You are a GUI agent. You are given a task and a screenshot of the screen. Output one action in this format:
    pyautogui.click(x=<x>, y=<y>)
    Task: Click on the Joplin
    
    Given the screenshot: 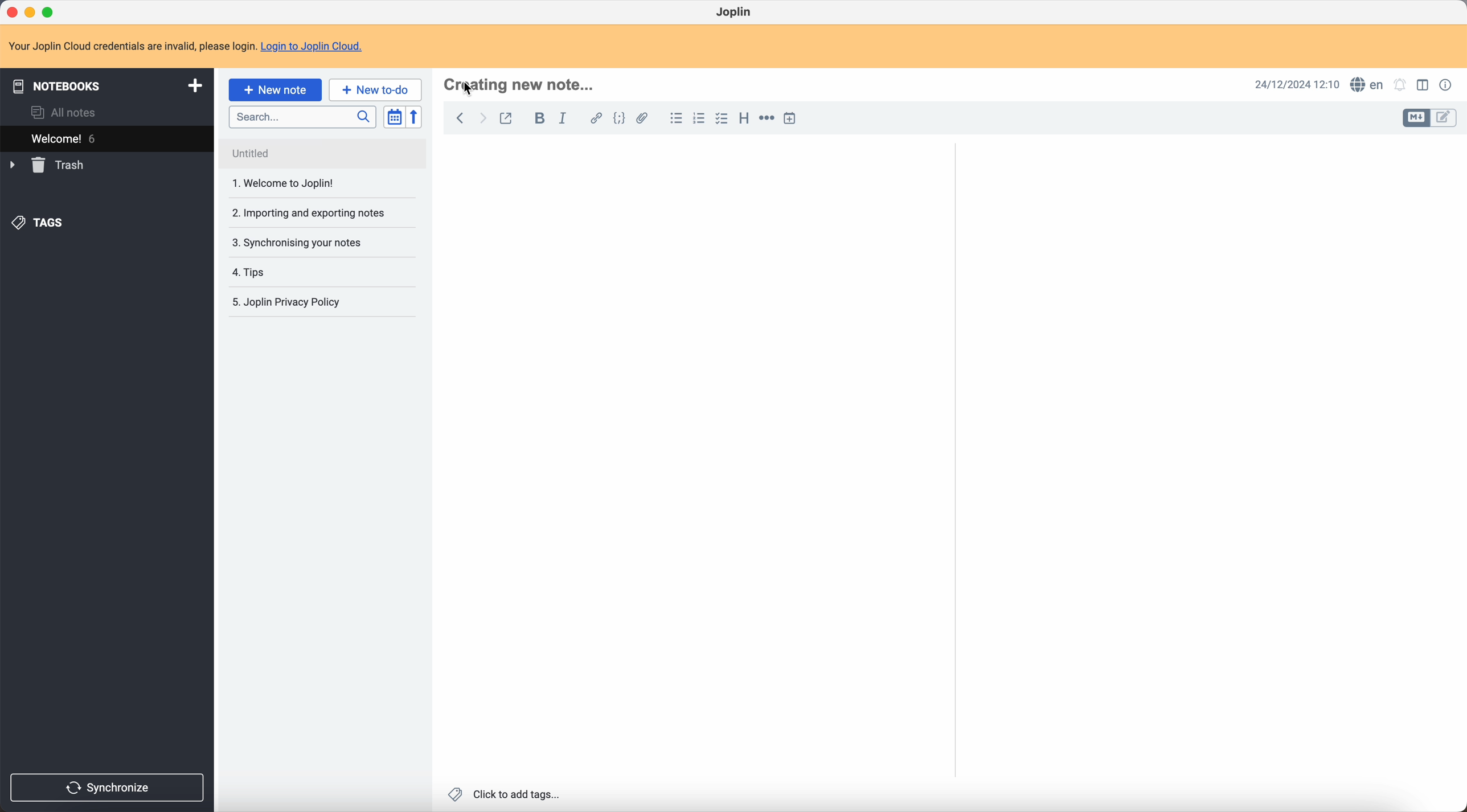 What is the action you would take?
    pyautogui.click(x=735, y=13)
    